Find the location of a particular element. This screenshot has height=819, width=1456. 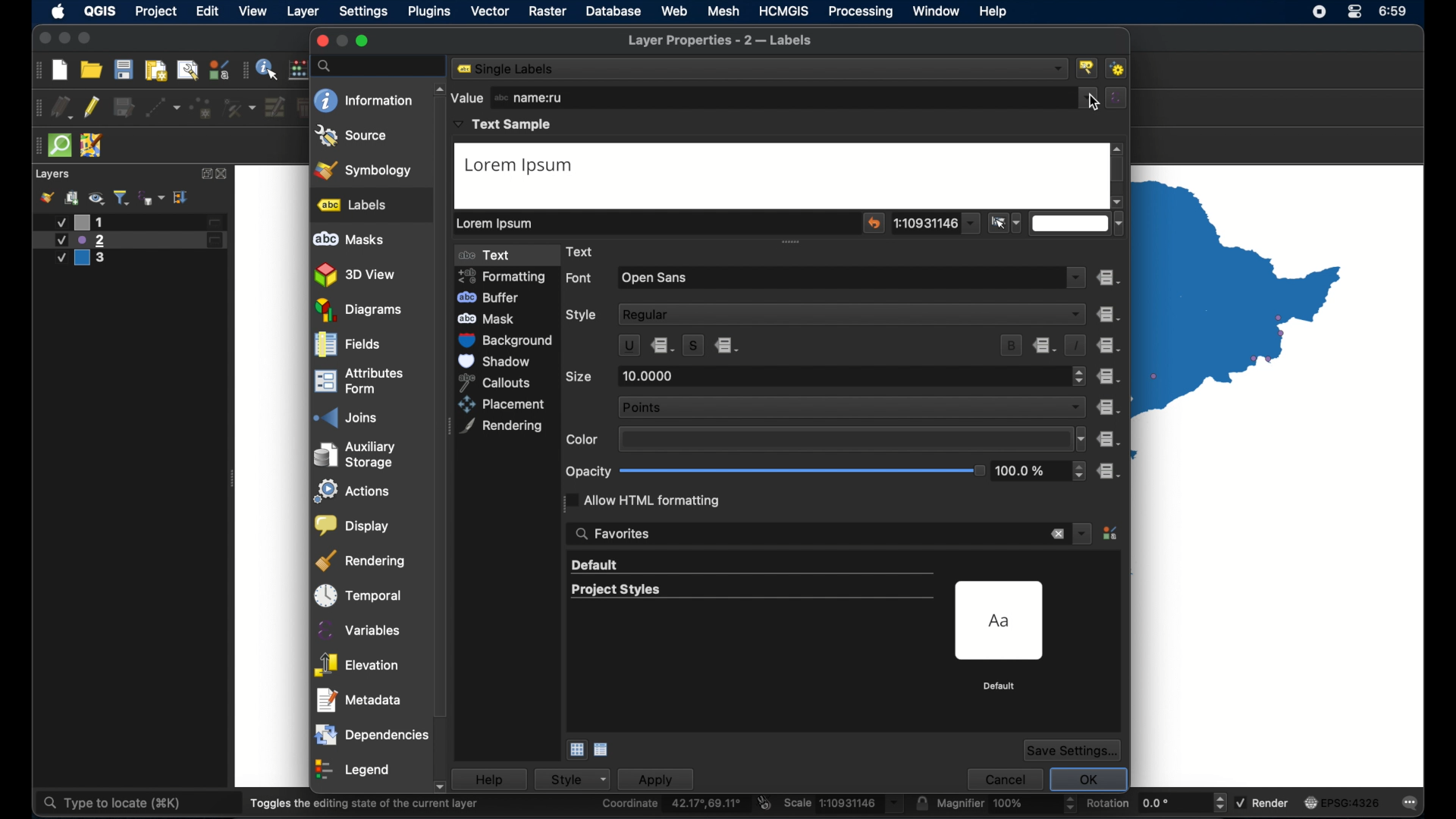

add group is located at coordinates (73, 197).